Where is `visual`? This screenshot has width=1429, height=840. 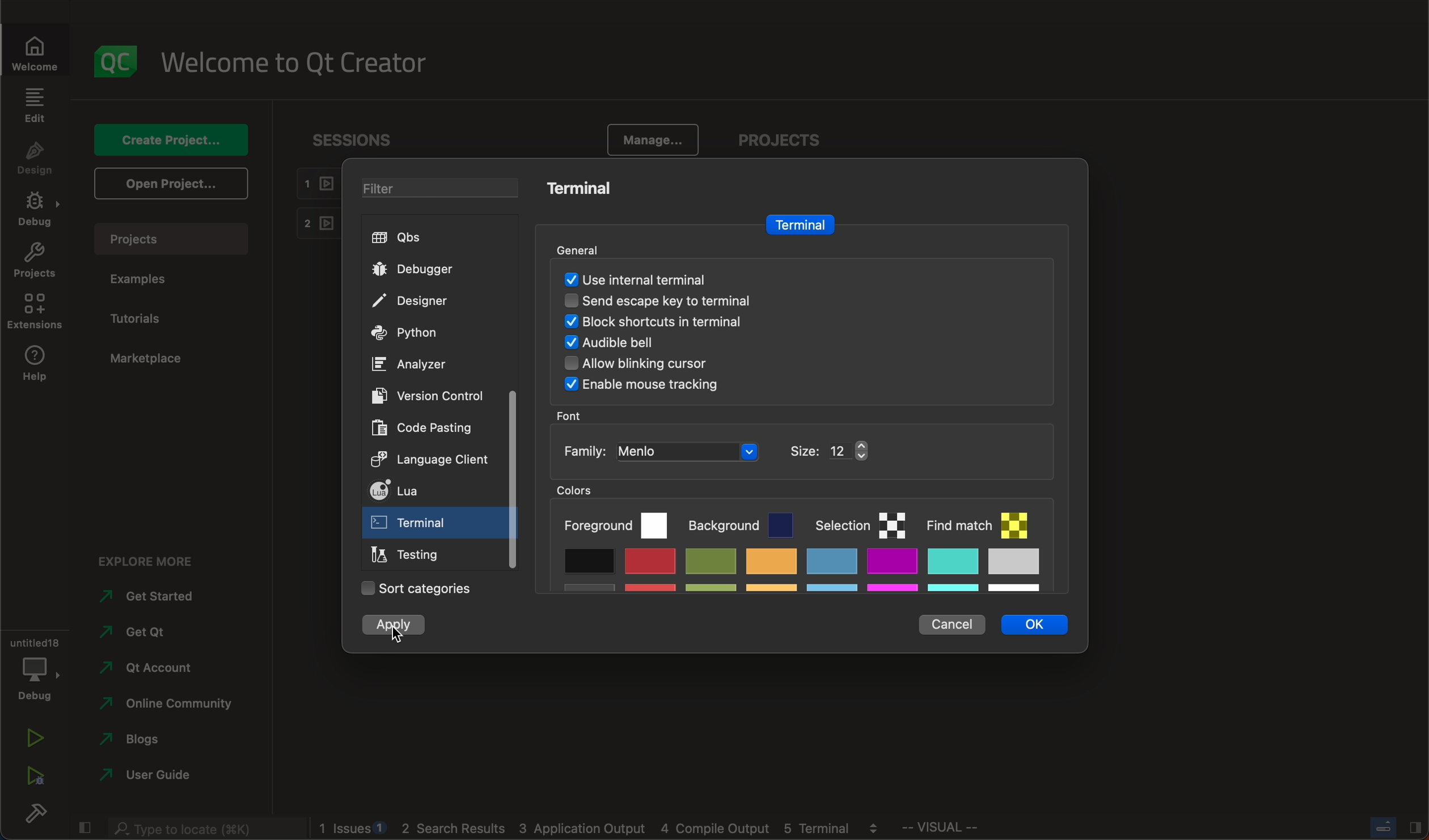
visual is located at coordinates (980, 830).